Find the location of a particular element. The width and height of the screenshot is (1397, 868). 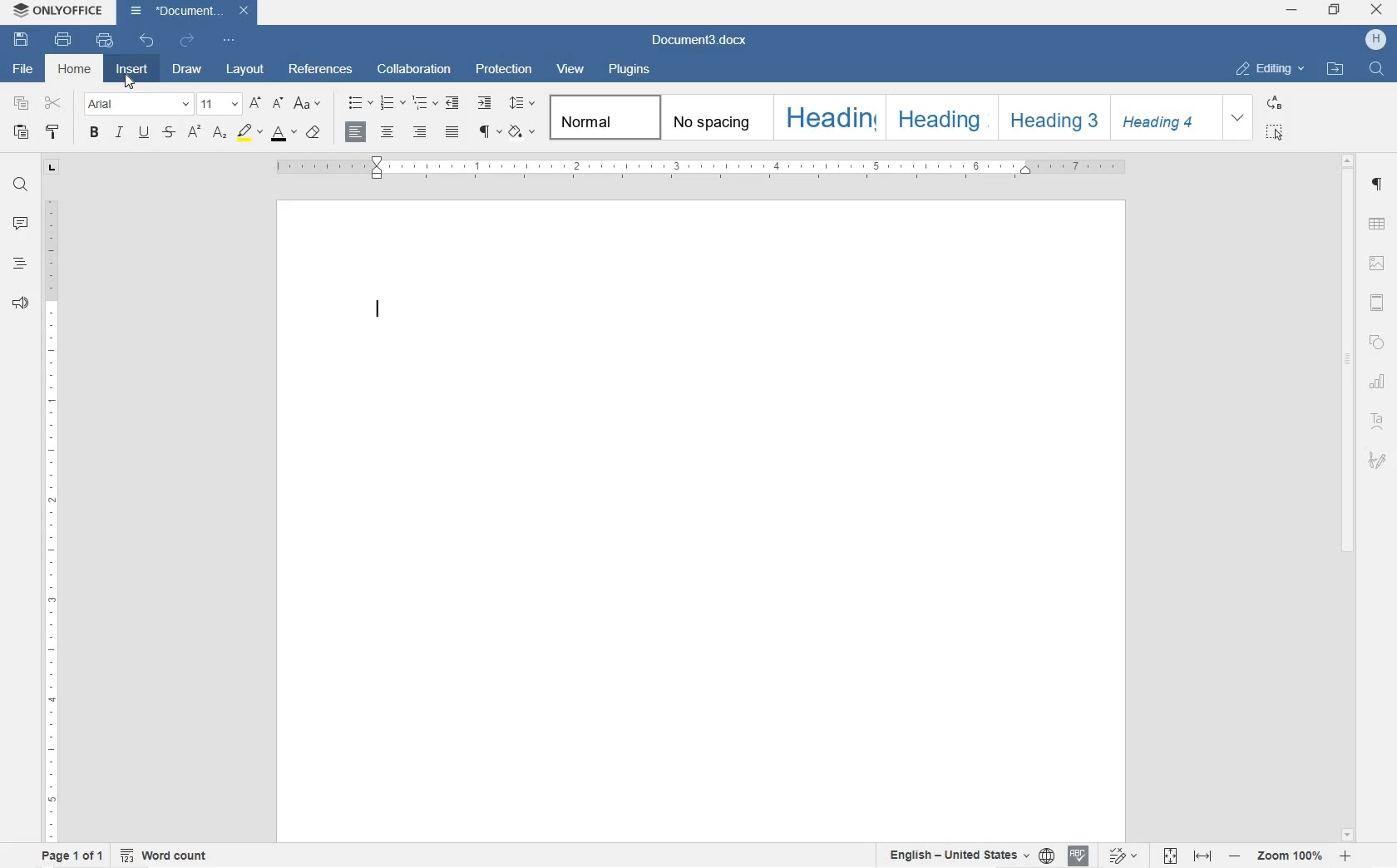

HIGHLIGHT COLOR is located at coordinates (250, 133).